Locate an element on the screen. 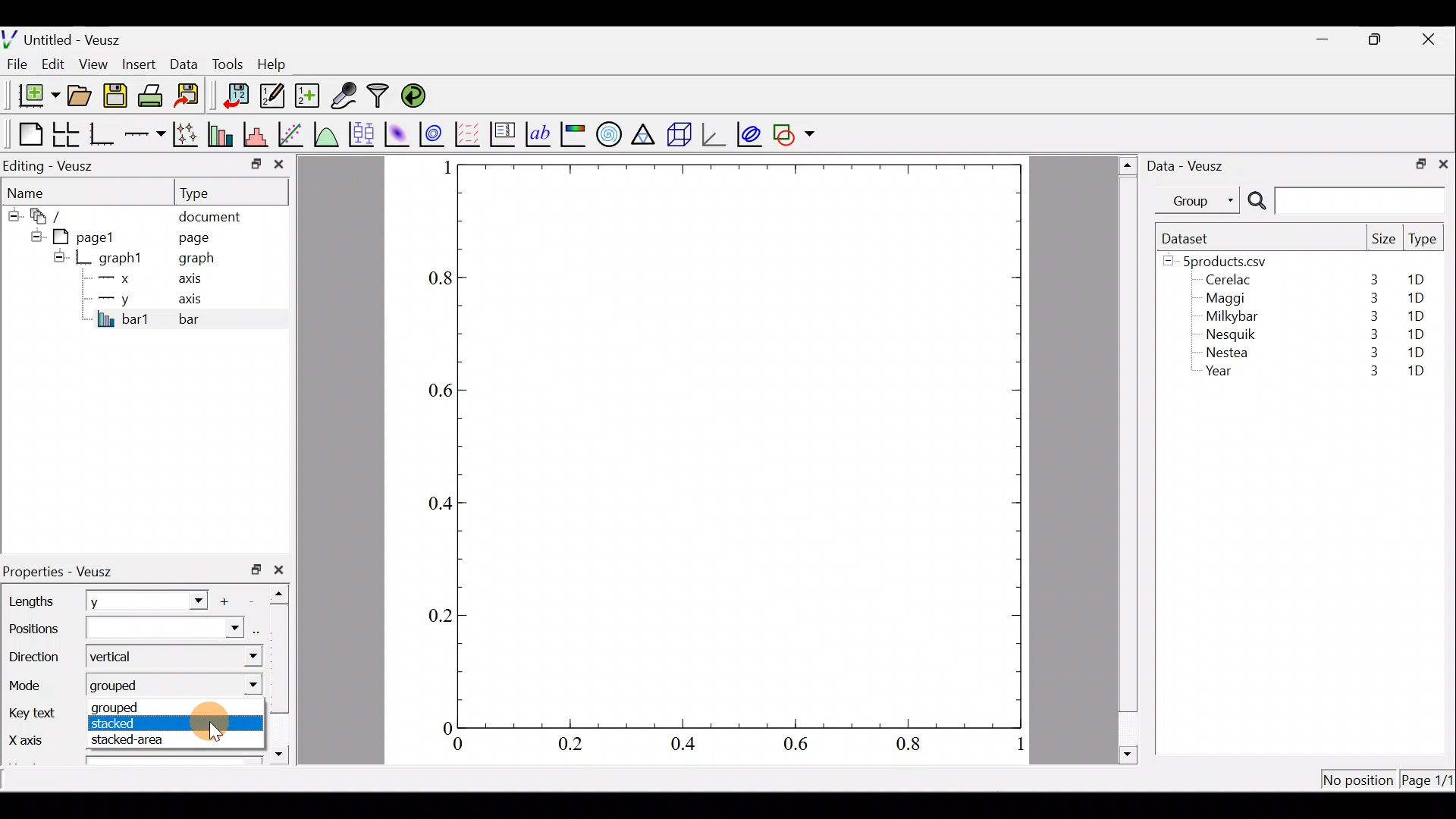 The height and width of the screenshot is (819, 1456). close is located at coordinates (1443, 163).